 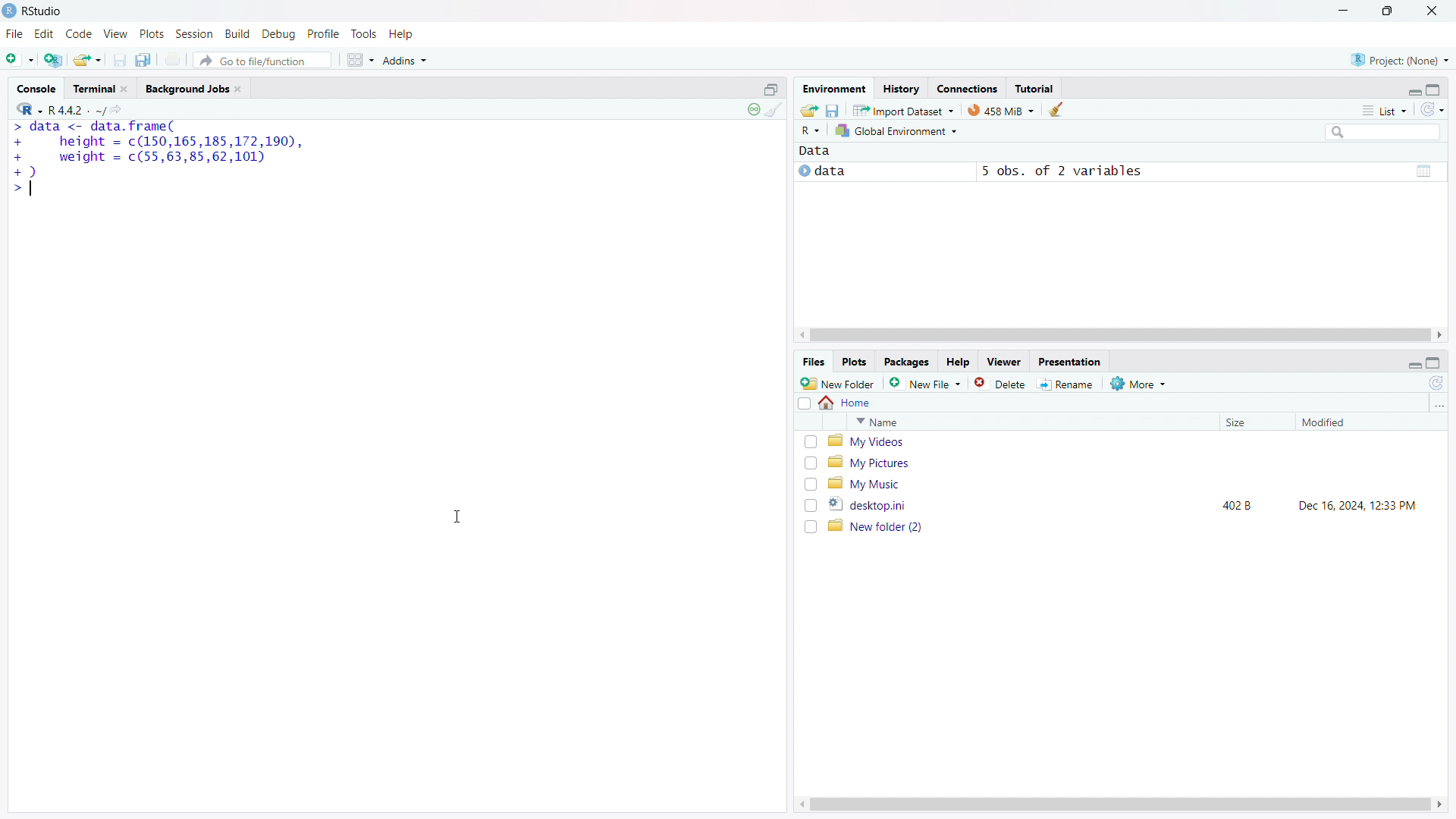 I want to click on viewer, so click(x=1004, y=362).